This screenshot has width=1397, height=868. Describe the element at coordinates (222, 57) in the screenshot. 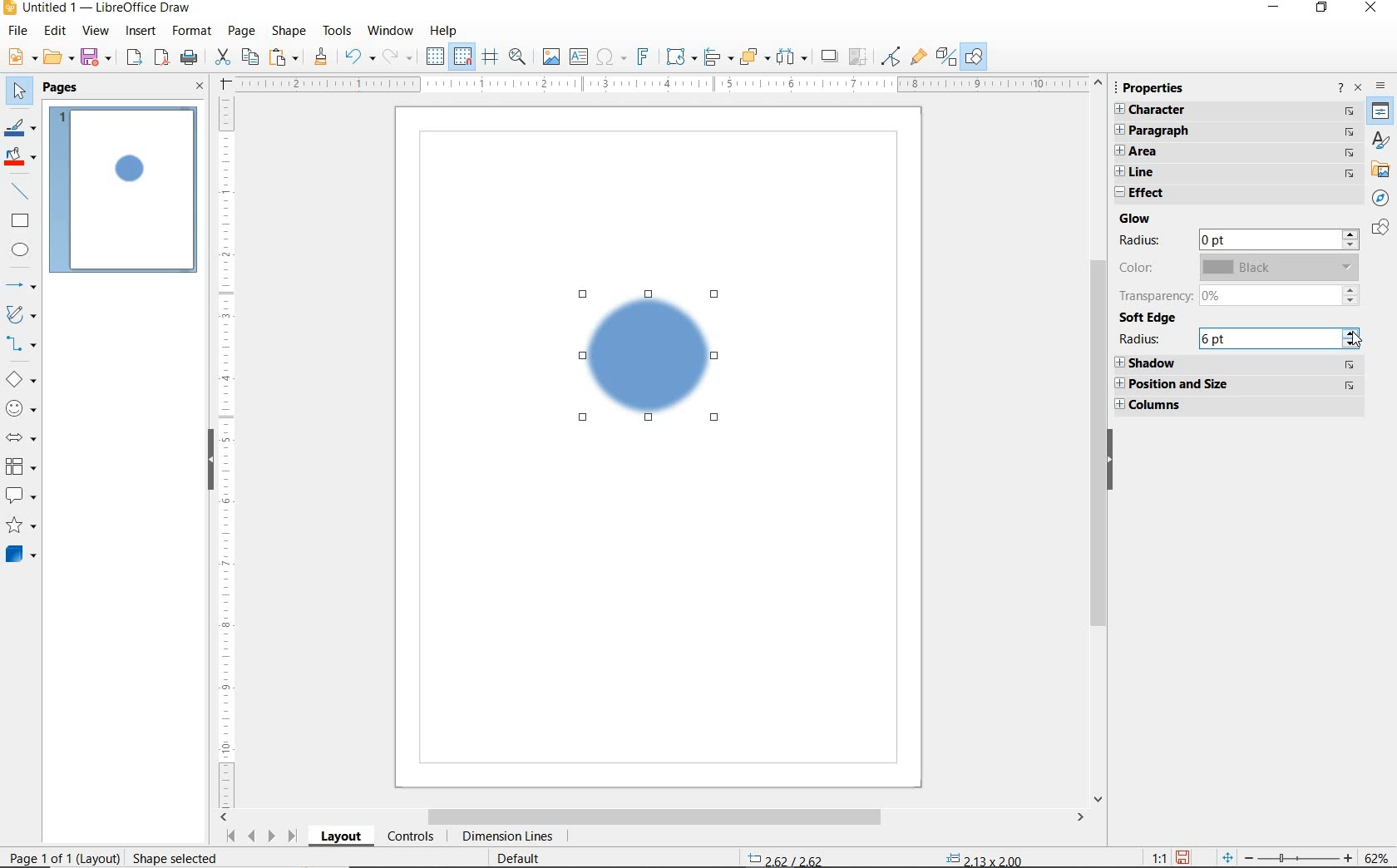

I see `CUT` at that location.